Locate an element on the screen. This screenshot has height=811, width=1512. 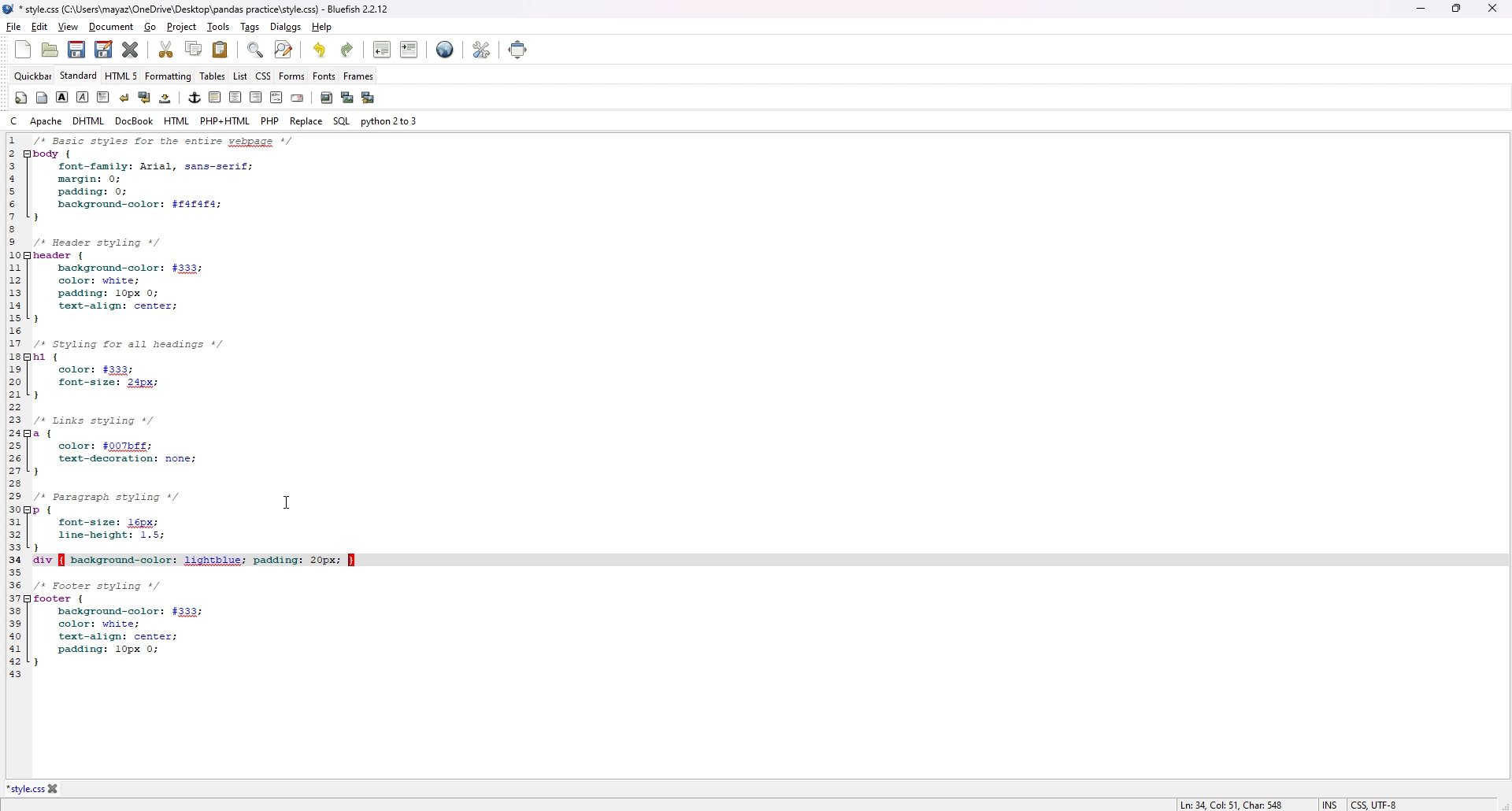
CSS, UTF-8 is located at coordinates (1377, 804).